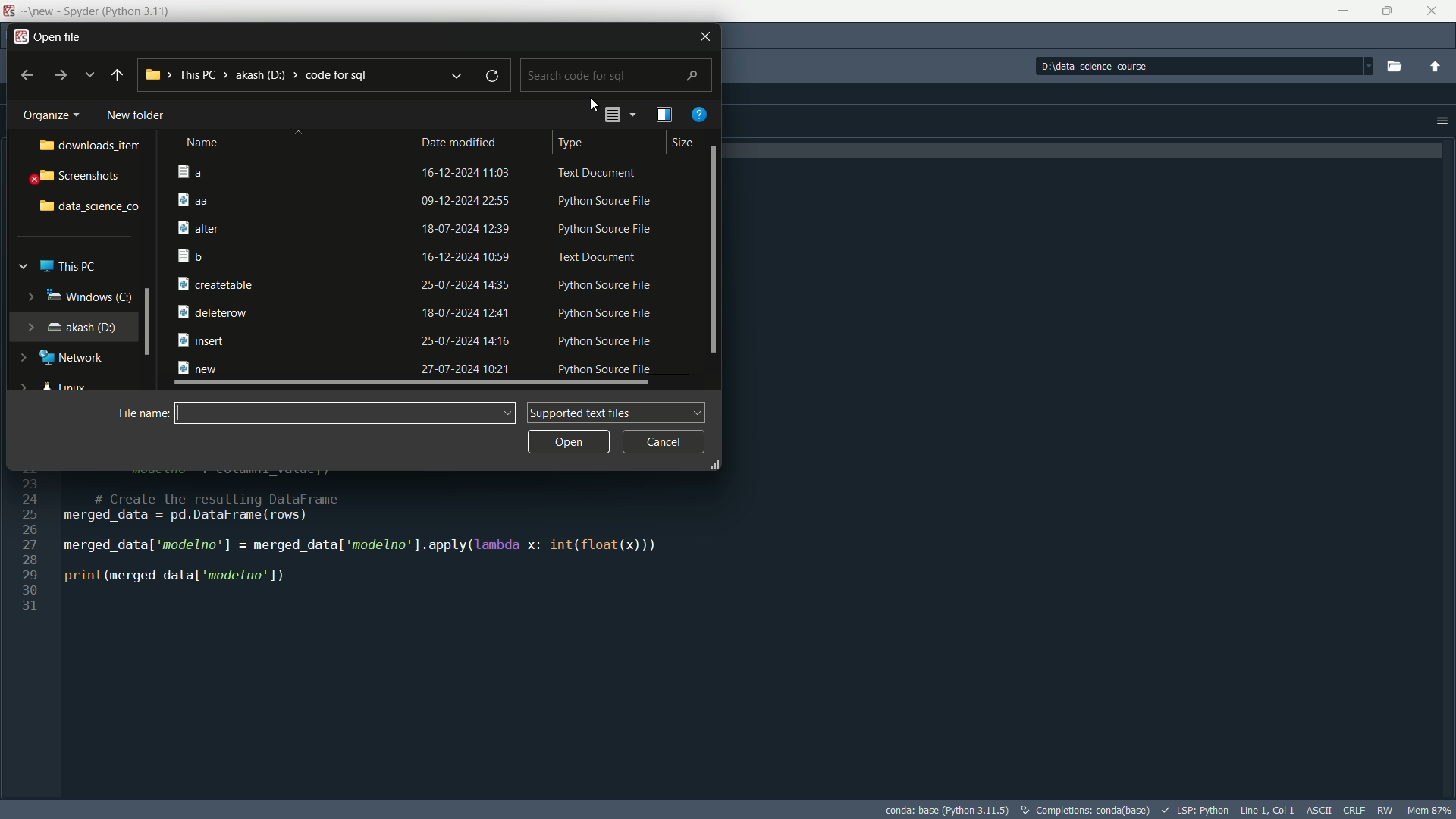 This screenshot has height=819, width=1456. Describe the element at coordinates (347, 413) in the screenshot. I see `File name ` at that location.